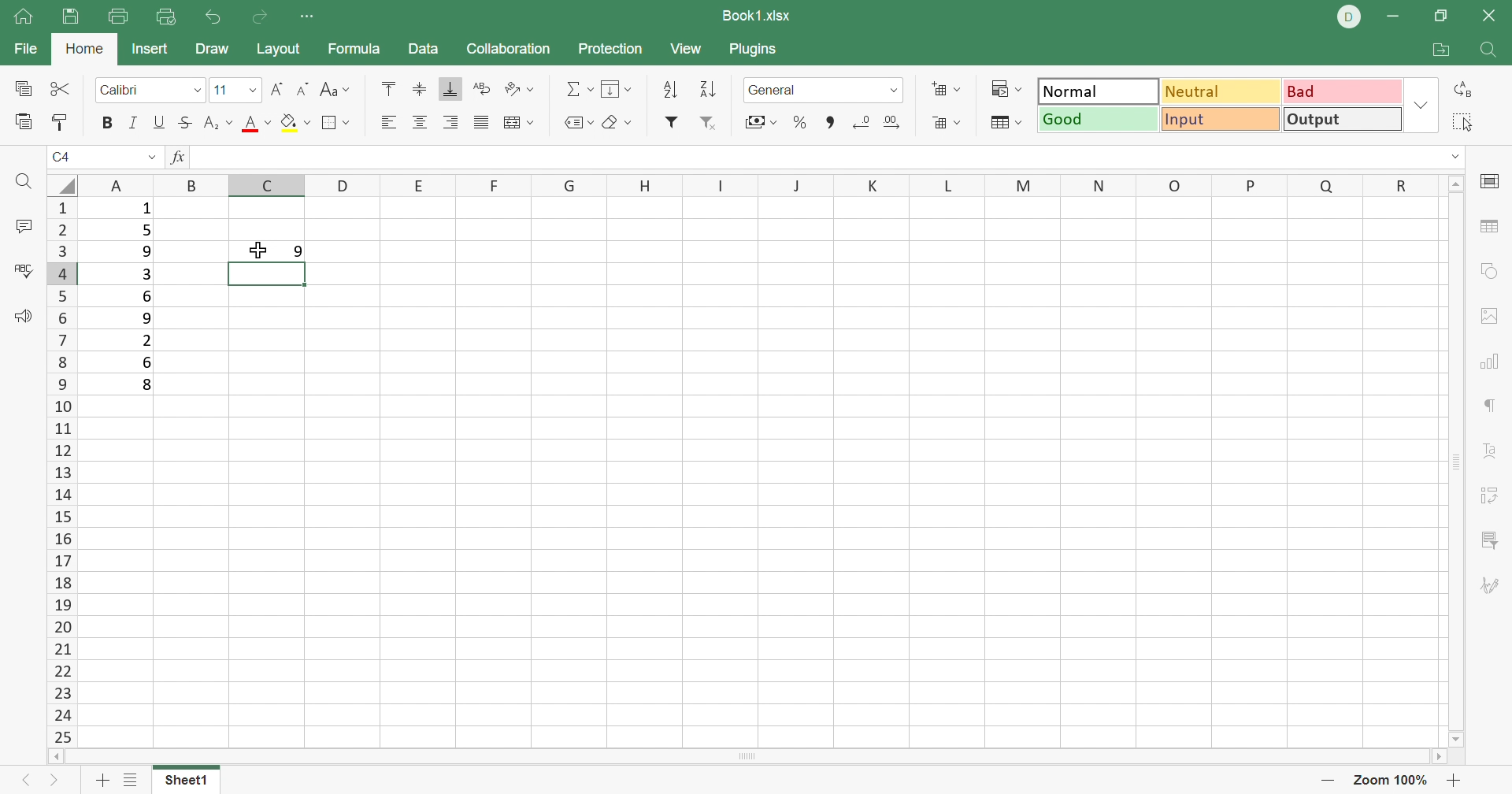  I want to click on Protection, so click(613, 50).